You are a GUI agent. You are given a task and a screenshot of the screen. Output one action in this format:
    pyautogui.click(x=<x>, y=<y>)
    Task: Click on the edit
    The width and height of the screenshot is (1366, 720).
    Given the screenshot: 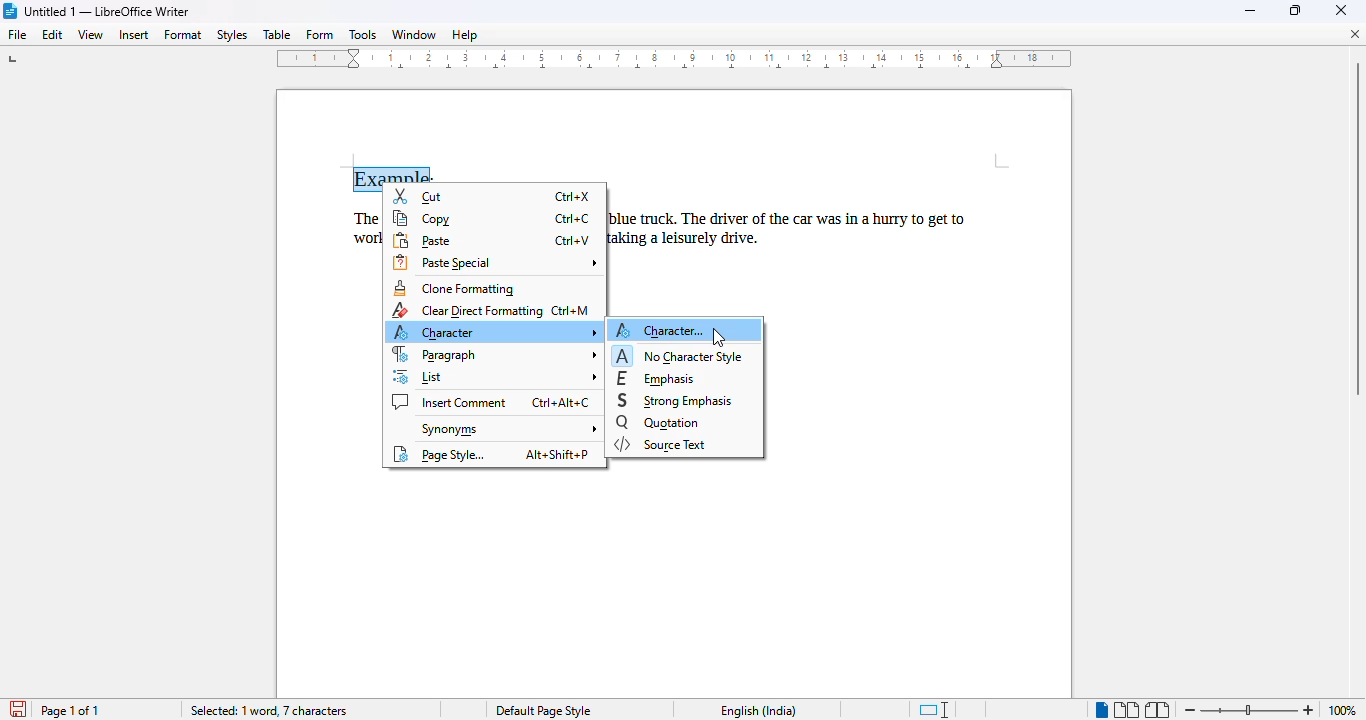 What is the action you would take?
    pyautogui.click(x=53, y=35)
    